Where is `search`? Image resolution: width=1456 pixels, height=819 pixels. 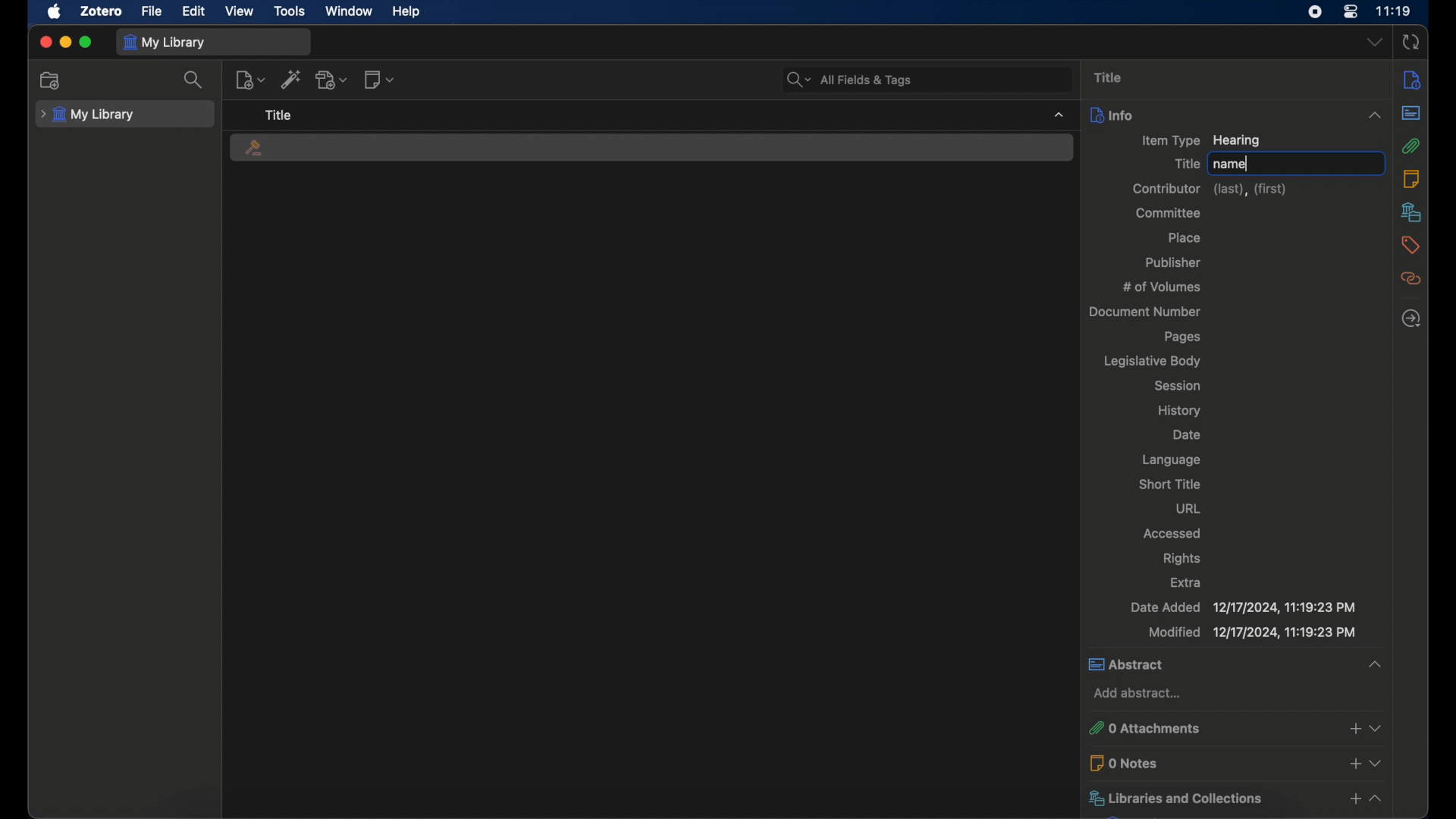 search is located at coordinates (848, 80).